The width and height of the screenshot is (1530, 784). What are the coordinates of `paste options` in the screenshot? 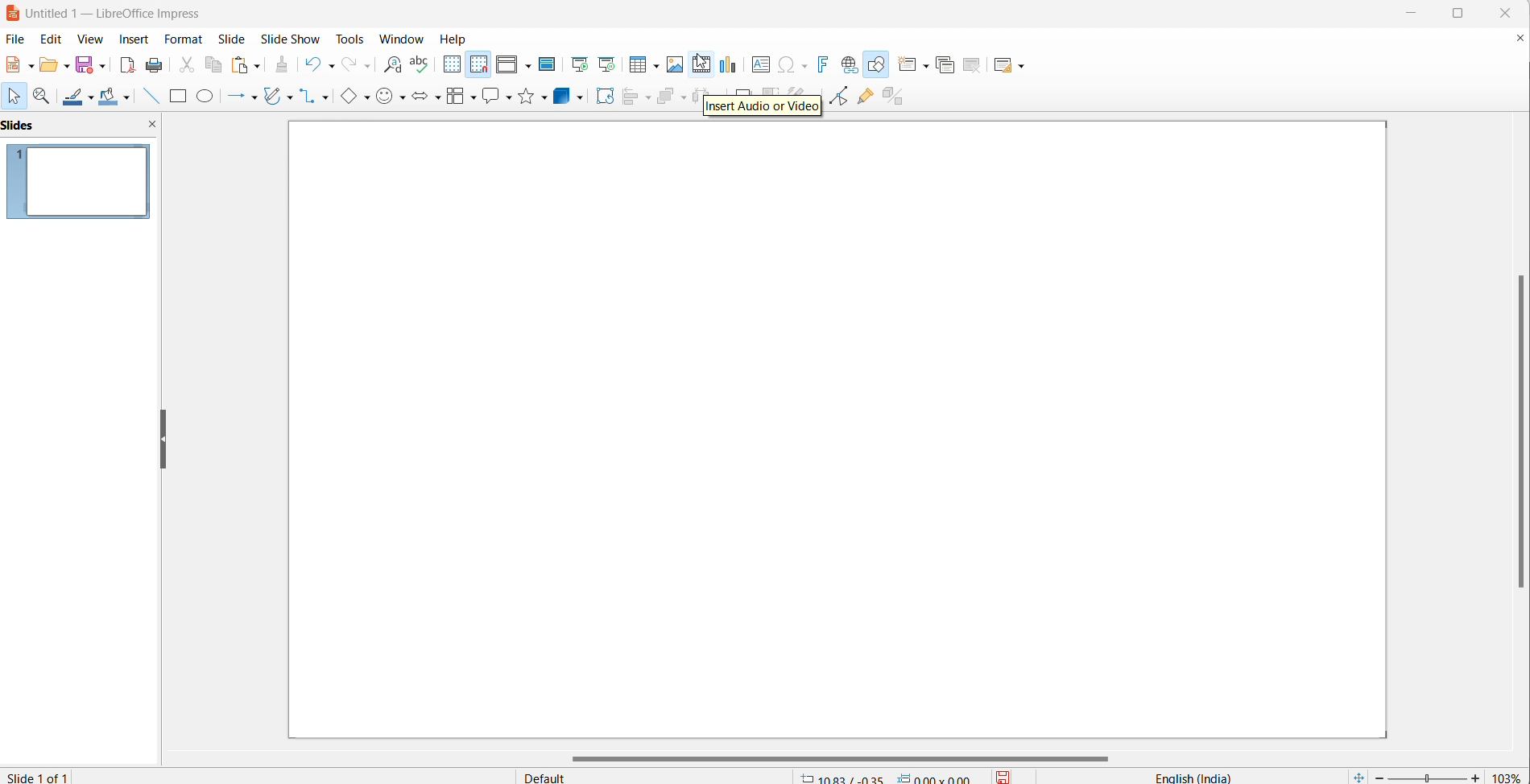 It's located at (258, 66).